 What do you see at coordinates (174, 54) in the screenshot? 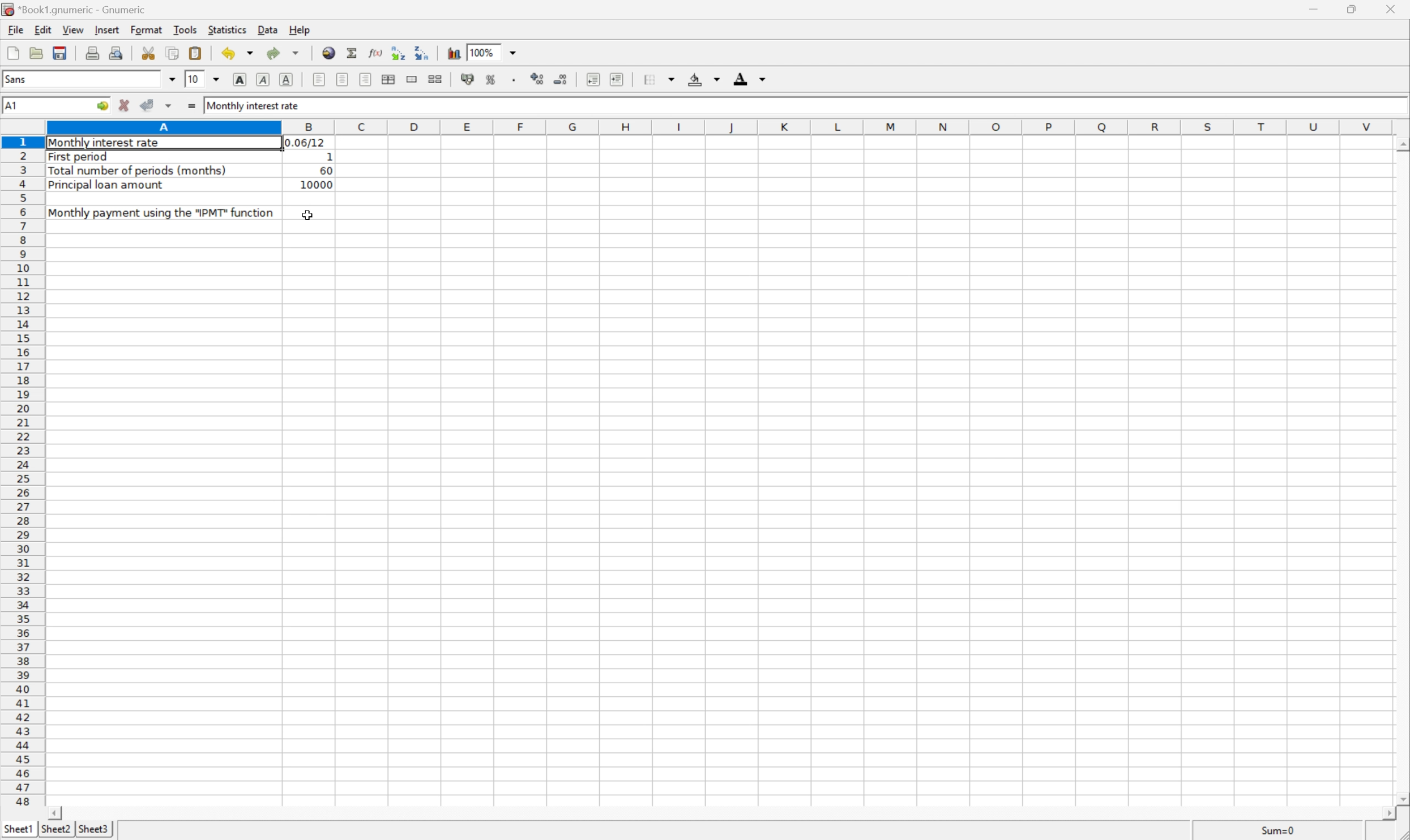
I see `Copy selection` at bounding box center [174, 54].